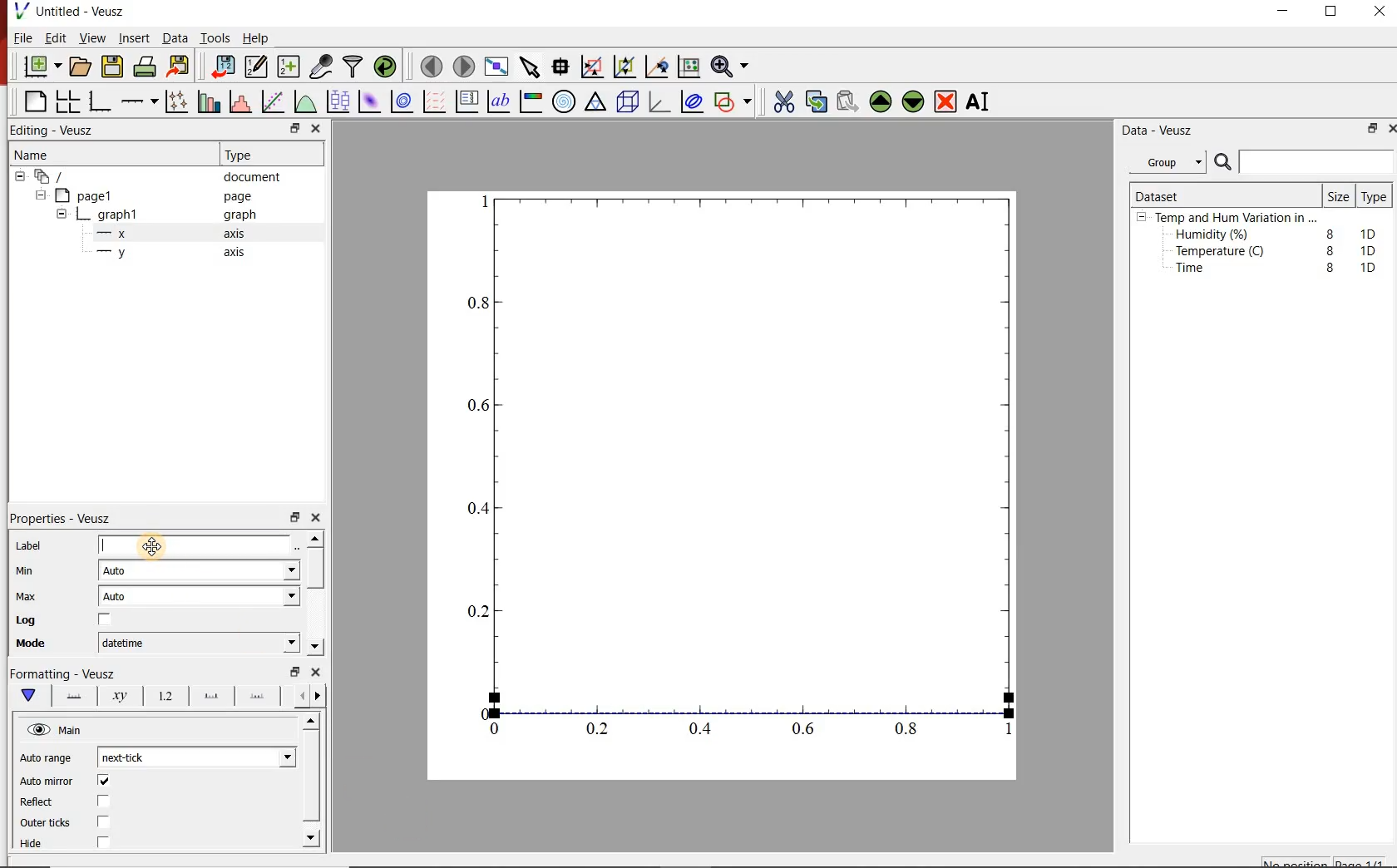 This screenshot has height=868, width=1397. I want to click on Reflect, so click(72, 802).